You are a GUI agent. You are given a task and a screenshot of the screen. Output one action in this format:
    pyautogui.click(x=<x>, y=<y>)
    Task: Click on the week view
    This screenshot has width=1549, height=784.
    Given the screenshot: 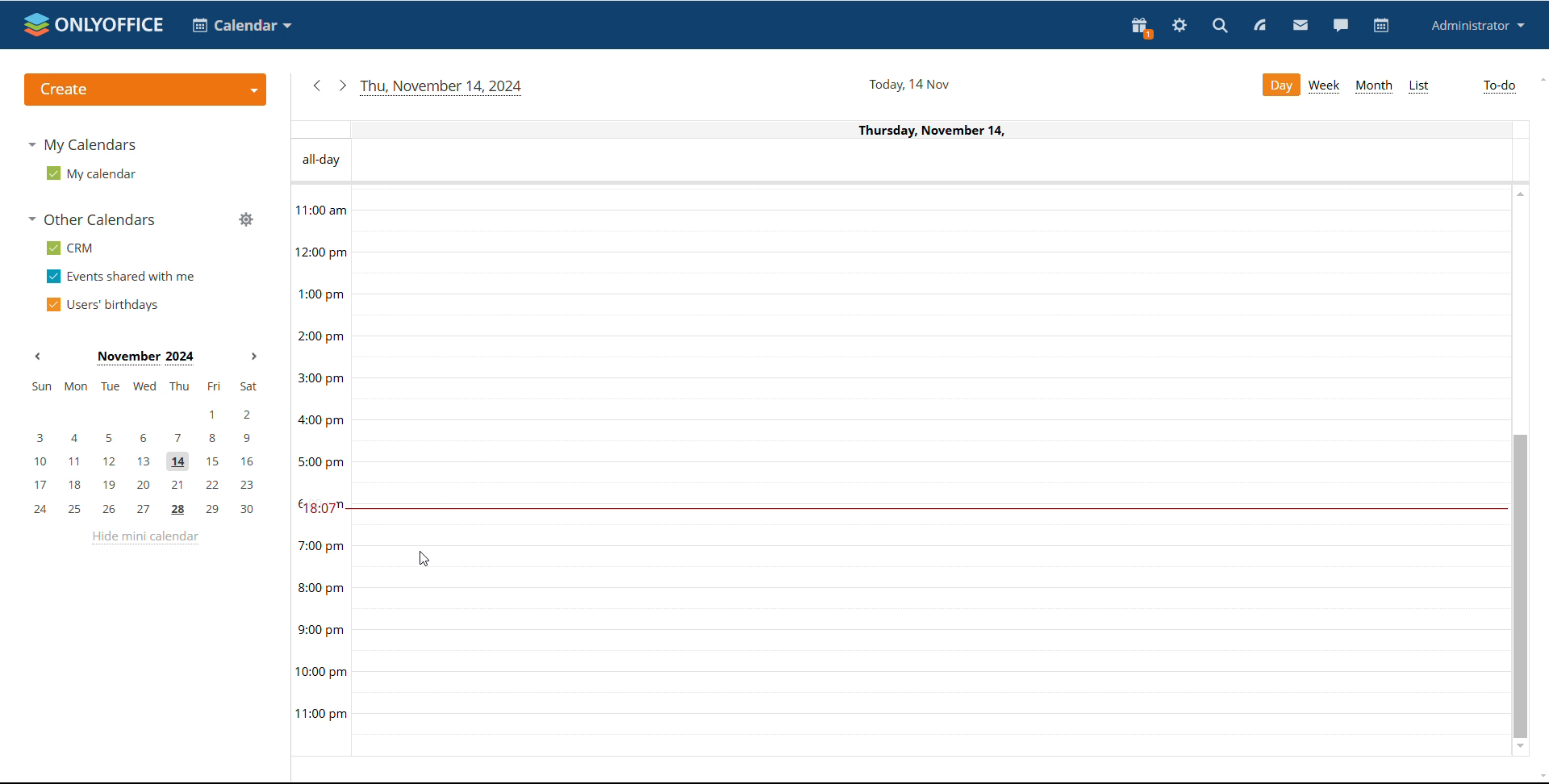 What is the action you would take?
    pyautogui.click(x=1325, y=85)
    